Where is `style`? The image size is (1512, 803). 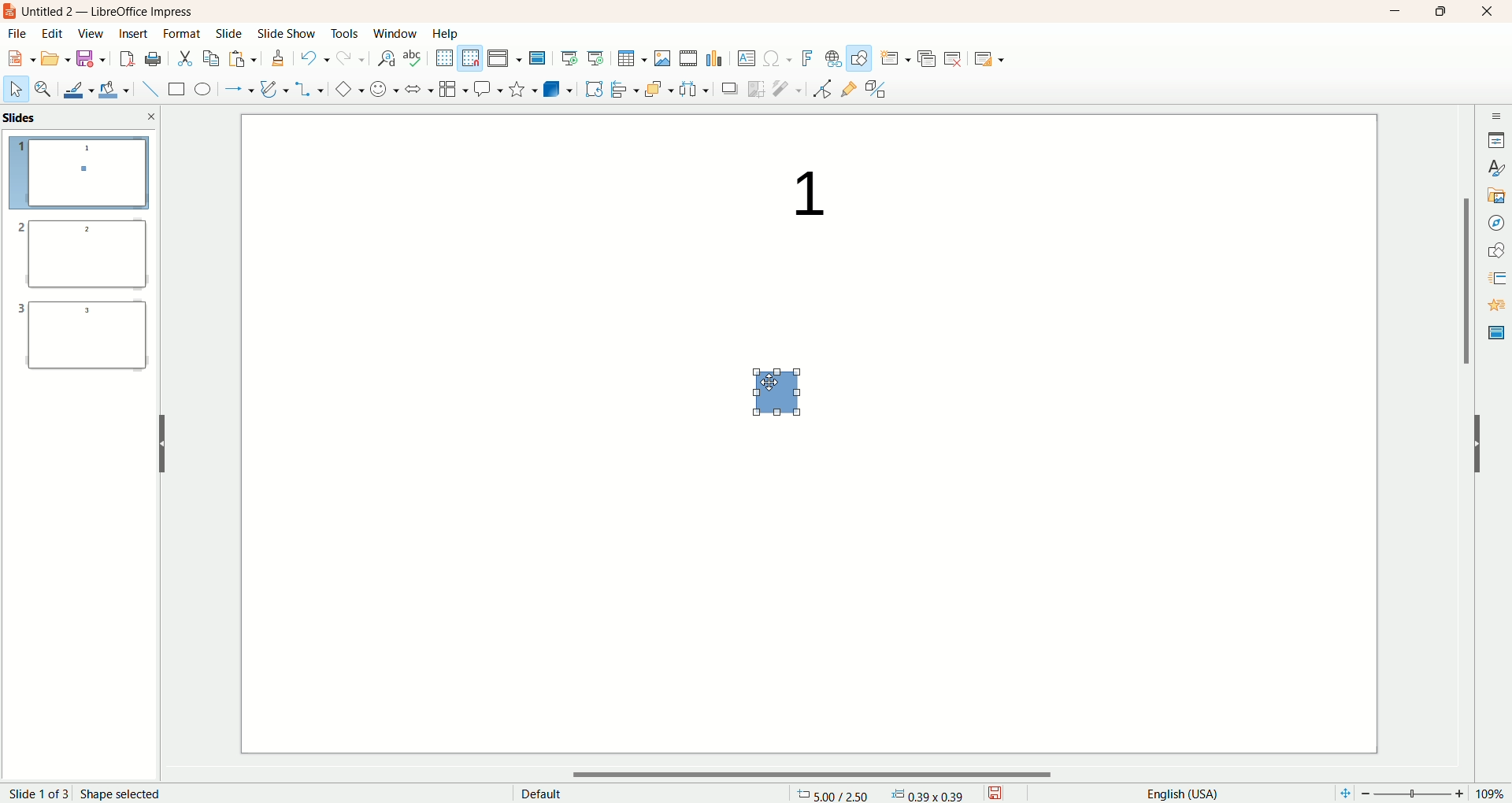 style is located at coordinates (1495, 168).